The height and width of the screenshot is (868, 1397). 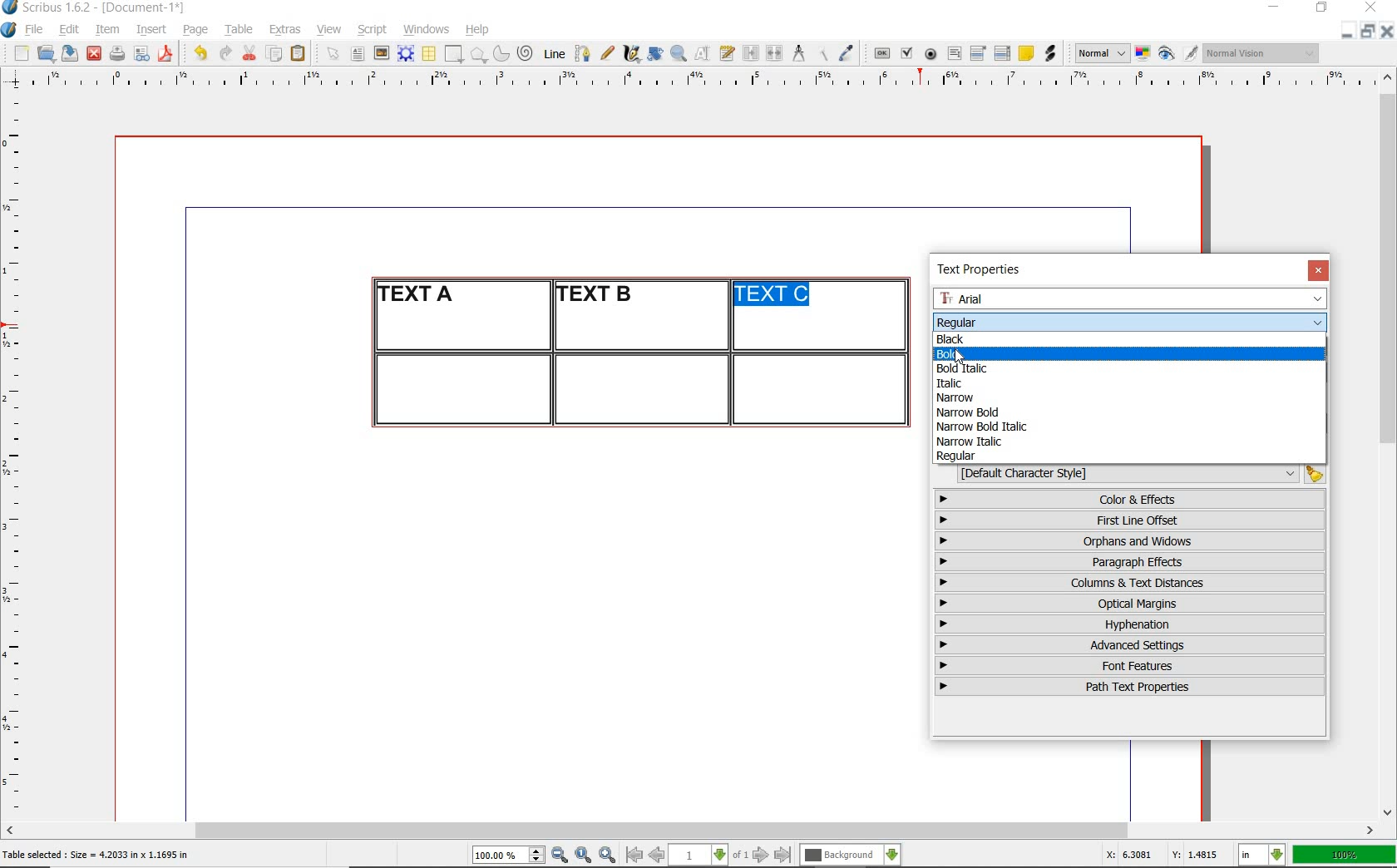 What do you see at coordinates (882, 54) in the screenshot?
I see `pdf push button` at bounding box center [882, 54].